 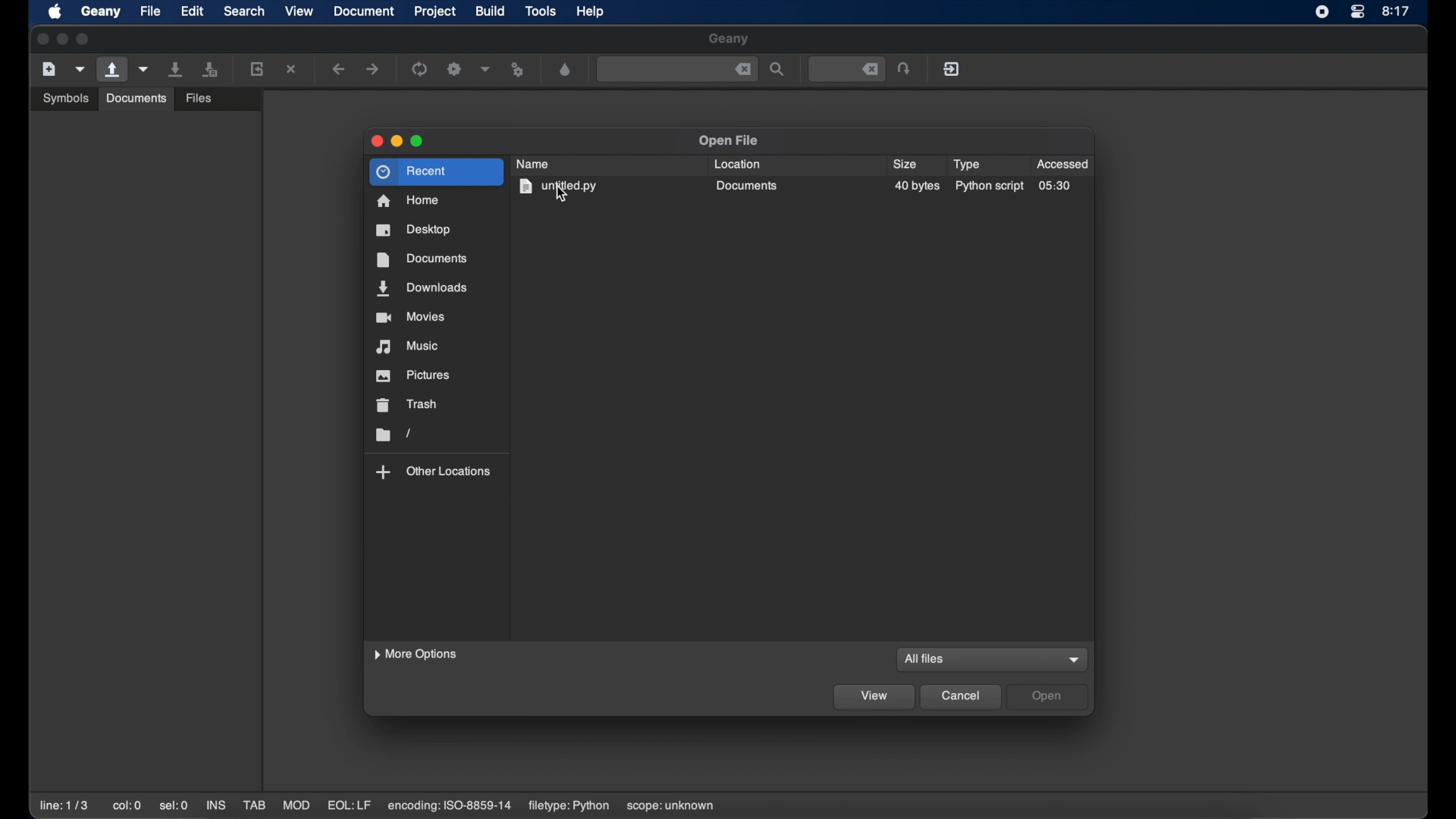 I want to click on build, so click(x=491, y=11).